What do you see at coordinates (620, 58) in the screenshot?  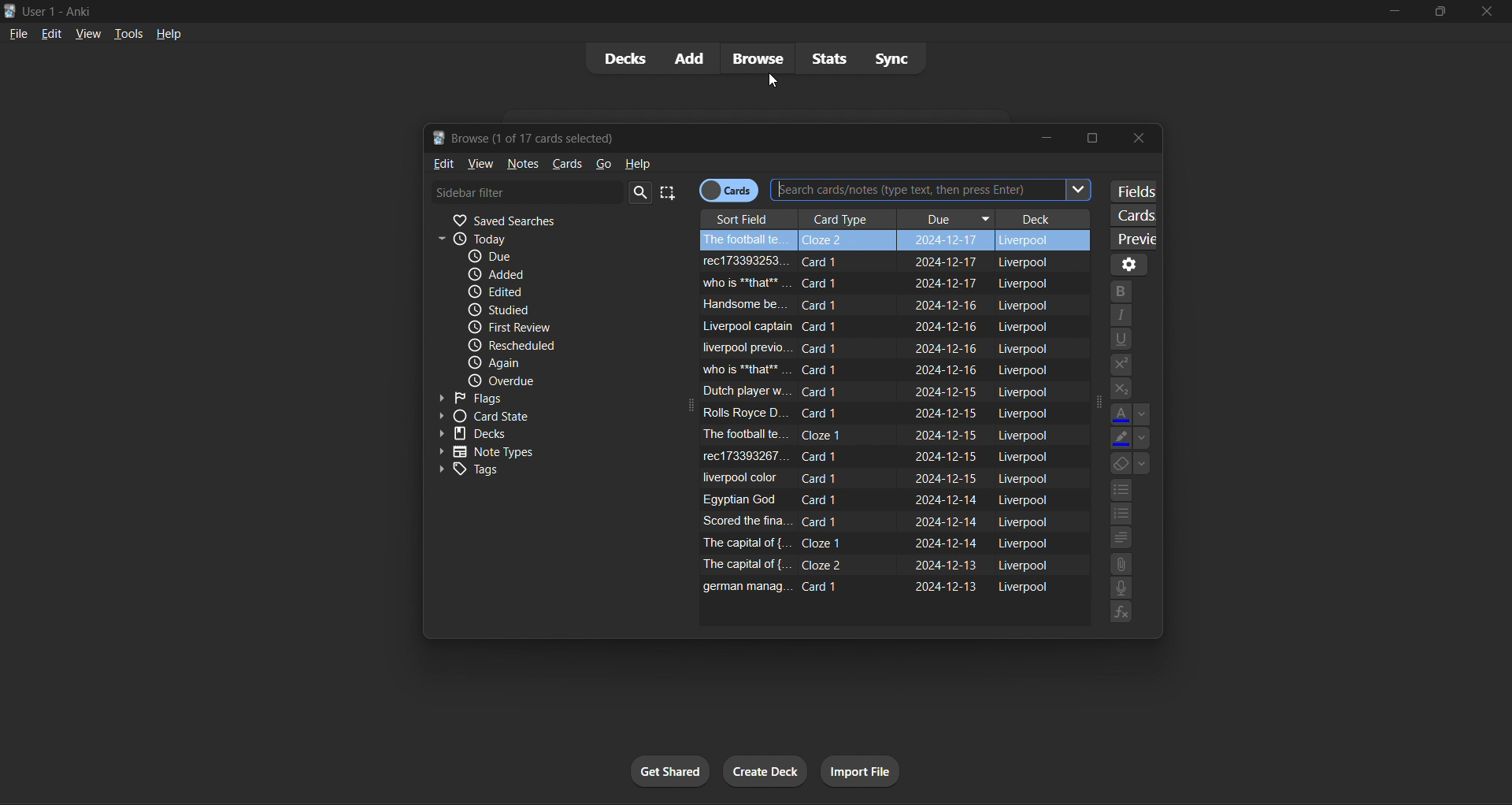 I see `decks` at bounding box center [620, 58].